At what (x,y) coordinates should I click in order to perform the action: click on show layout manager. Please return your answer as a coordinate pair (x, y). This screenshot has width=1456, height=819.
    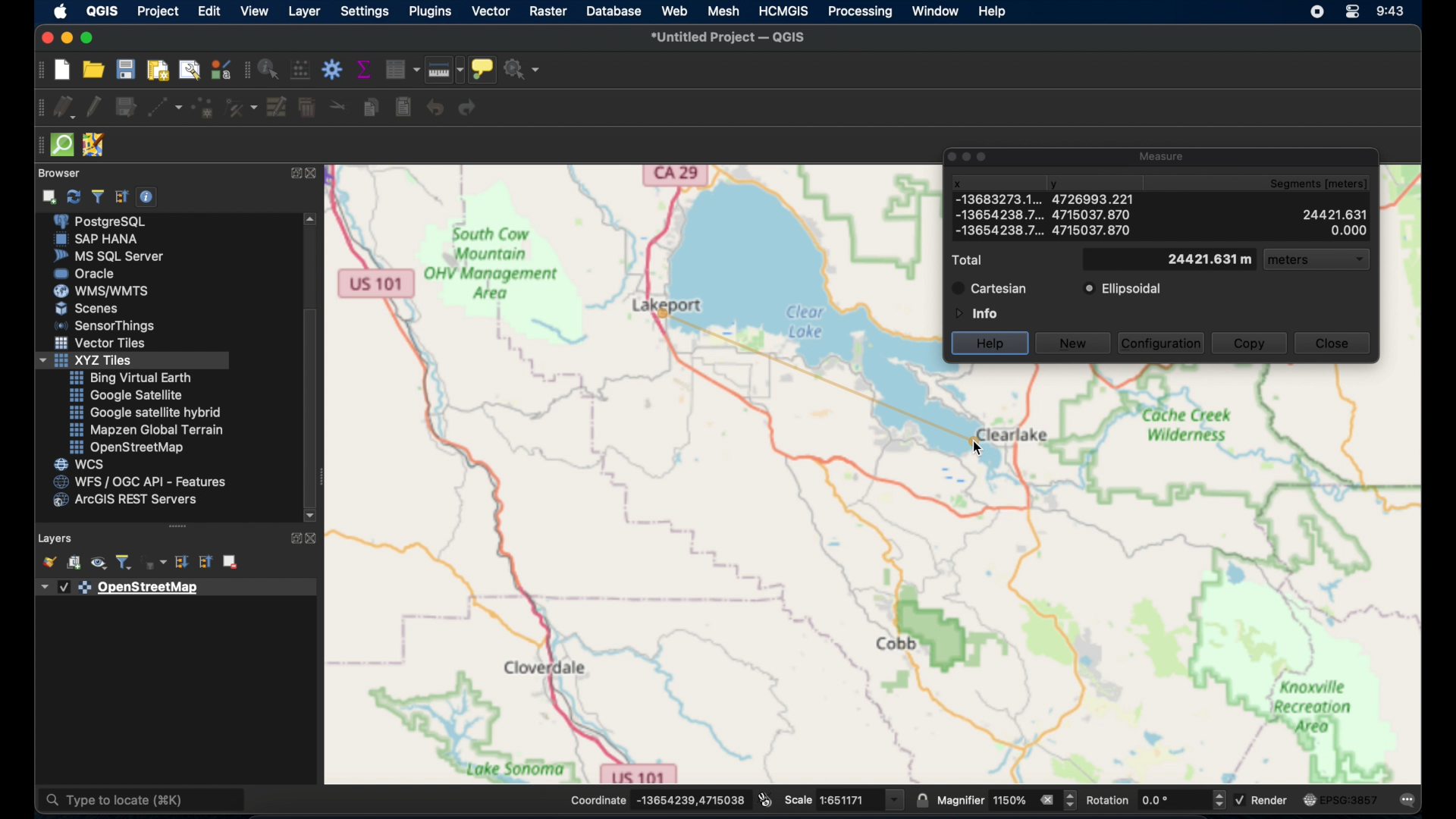
    Looking at the image, I should click on (193, 70).